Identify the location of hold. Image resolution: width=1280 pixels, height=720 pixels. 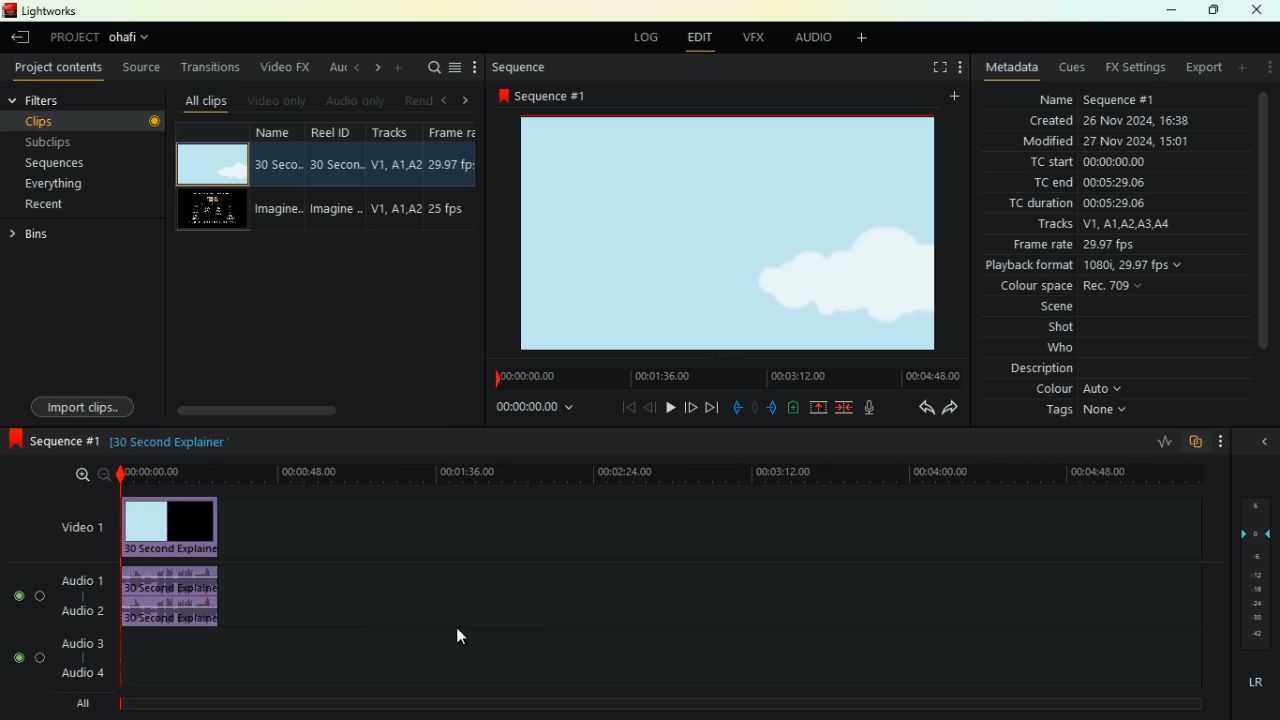
(755, 406).